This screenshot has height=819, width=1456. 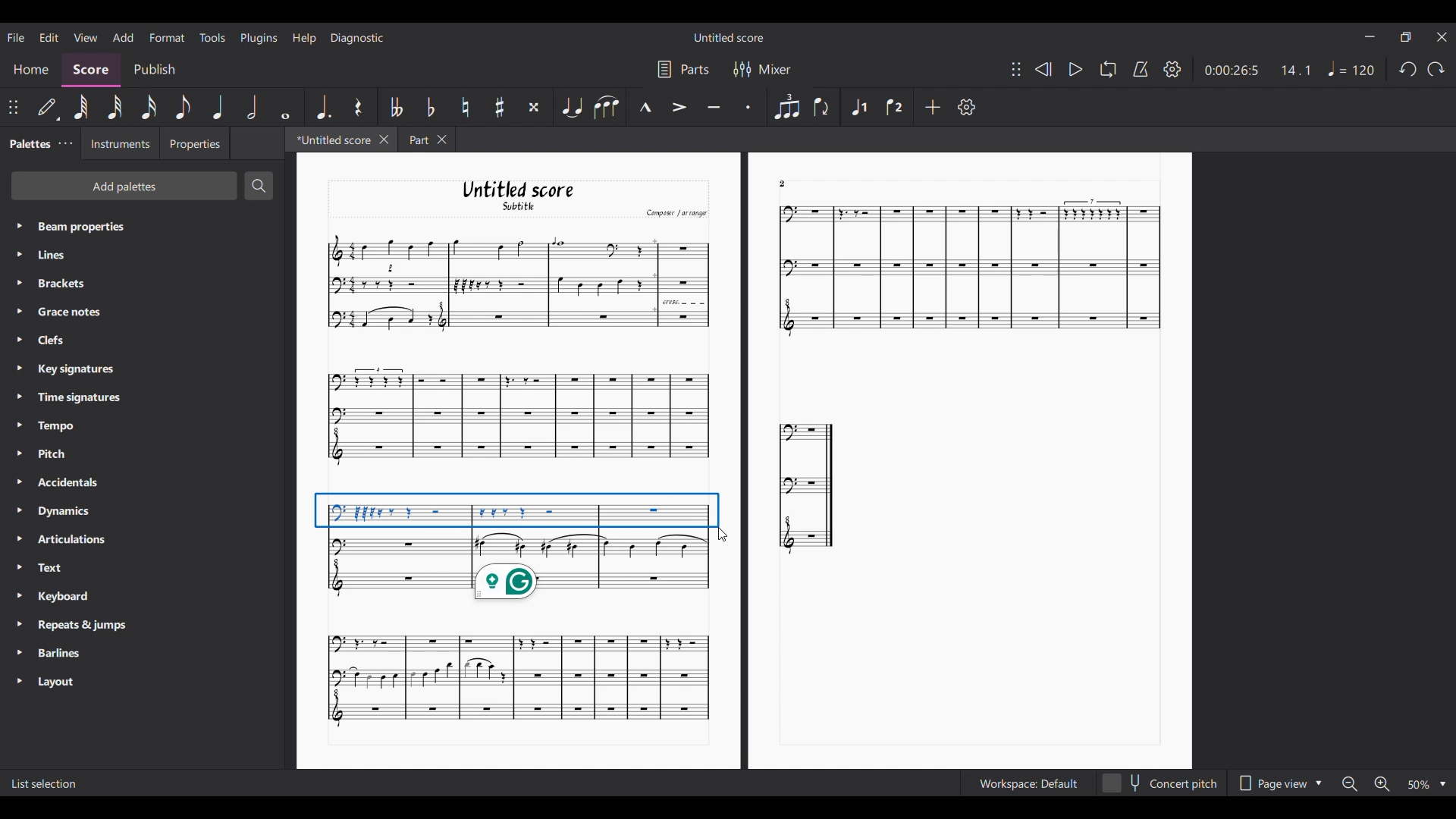 I want to click on Graph, so click(x=517, y=523).